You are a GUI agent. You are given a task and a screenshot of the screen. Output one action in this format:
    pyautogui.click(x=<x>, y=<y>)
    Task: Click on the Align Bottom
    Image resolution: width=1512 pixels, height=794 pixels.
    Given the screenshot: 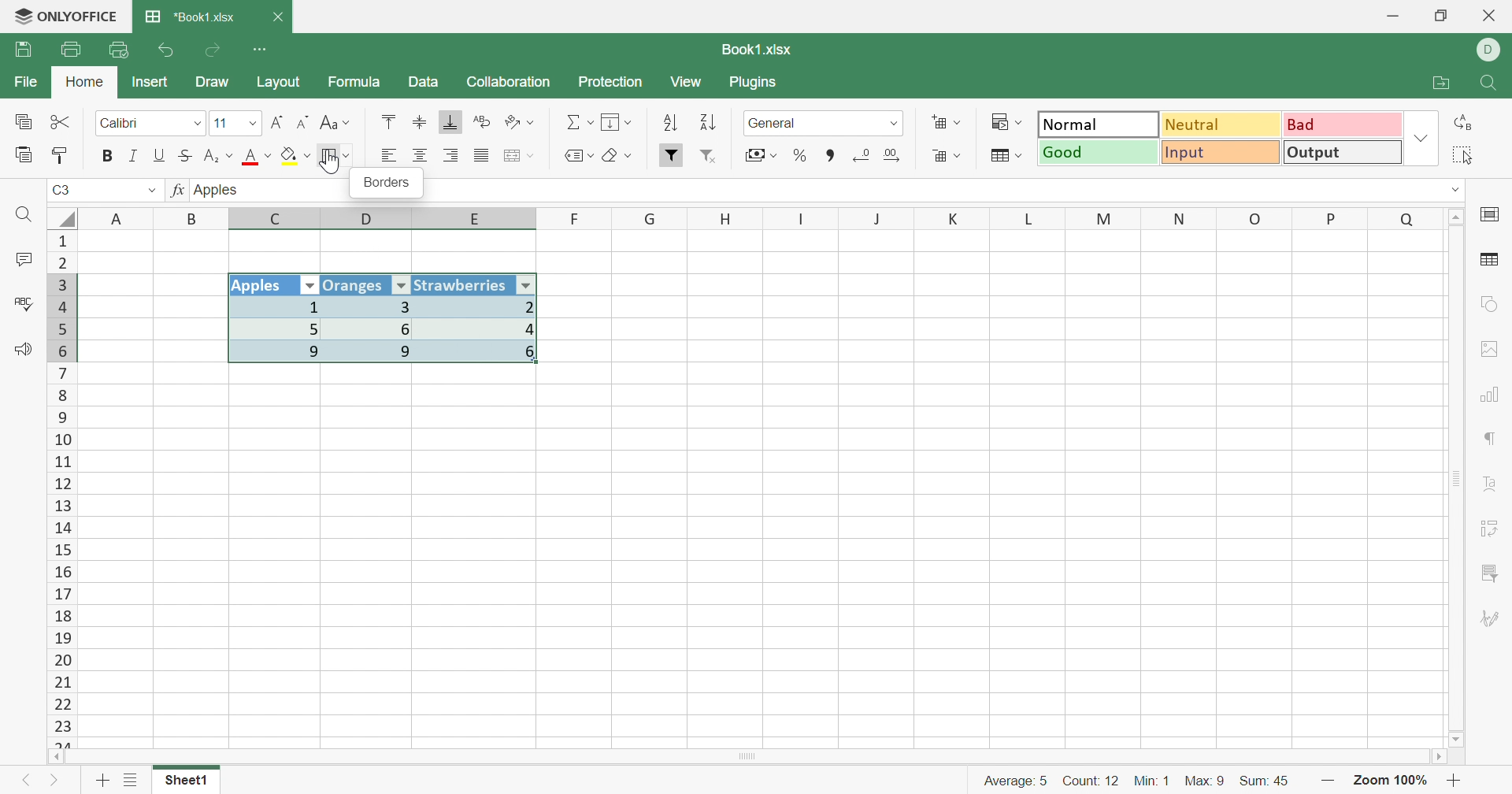 What is the action you would take?
    pyautogui.click(x=451, y=122)
    